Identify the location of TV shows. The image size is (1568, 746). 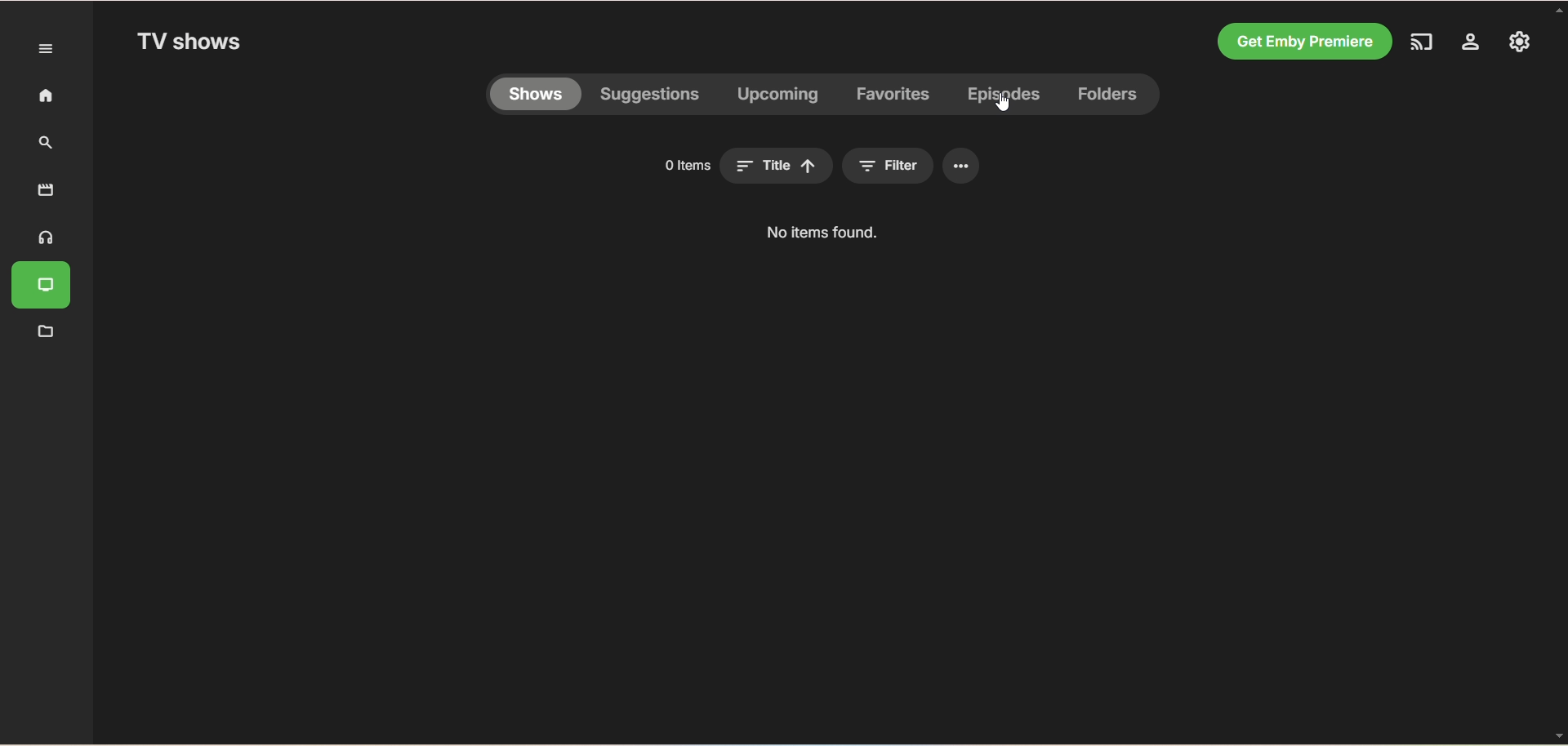
(45, 287).